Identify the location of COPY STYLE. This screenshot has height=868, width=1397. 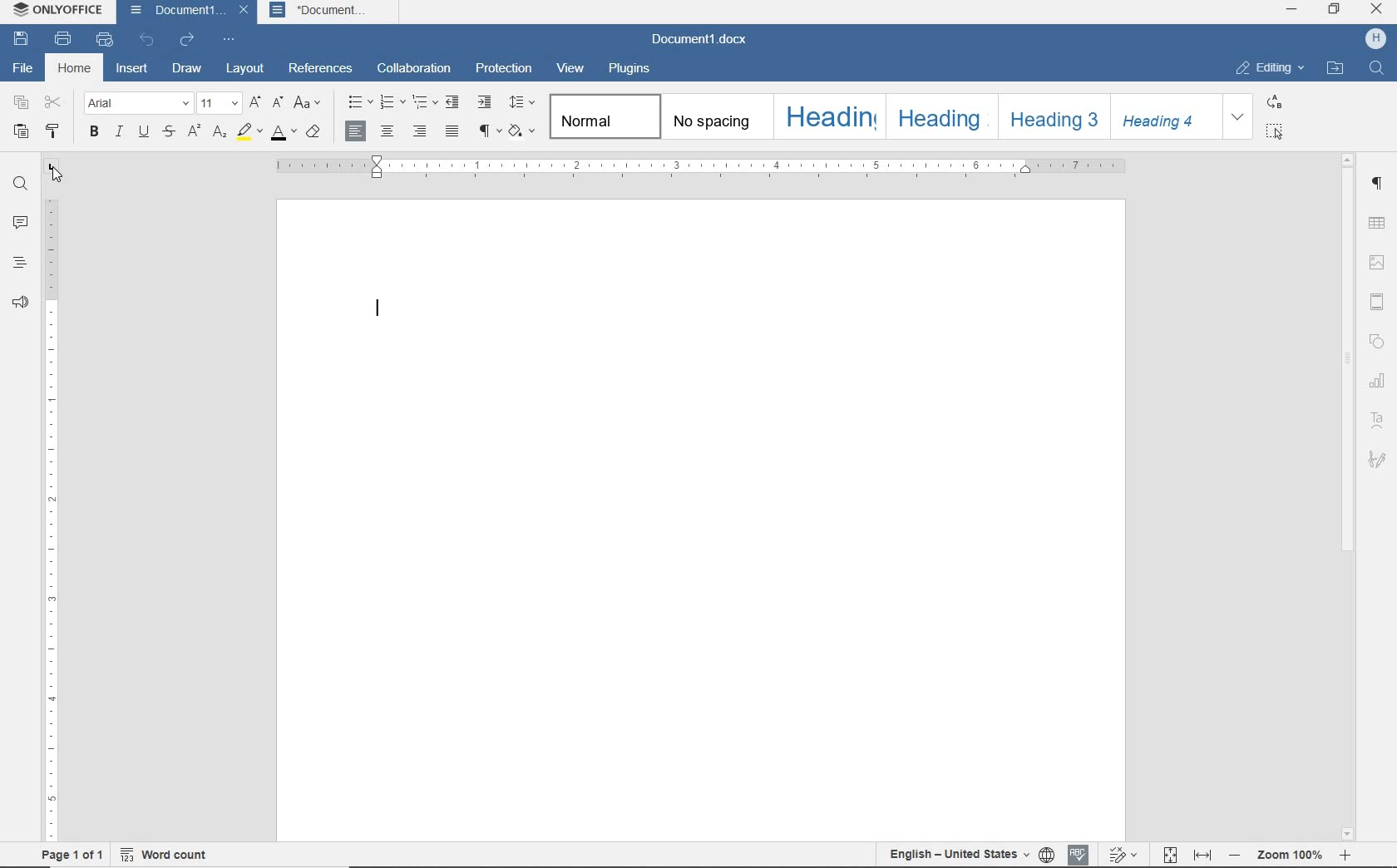
(52, 131).